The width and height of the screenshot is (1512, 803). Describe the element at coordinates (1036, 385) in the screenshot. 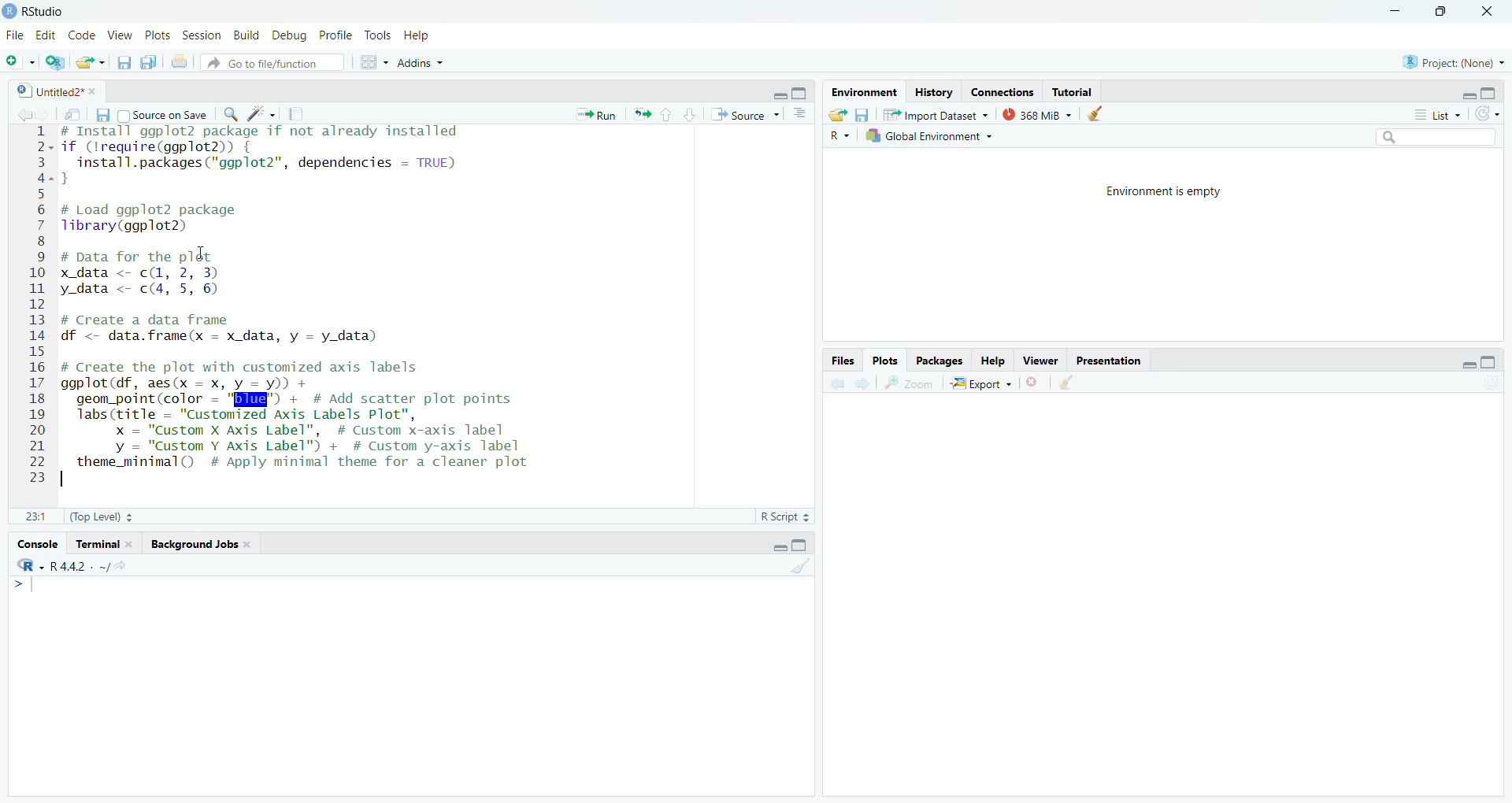

I see `close` at that location.